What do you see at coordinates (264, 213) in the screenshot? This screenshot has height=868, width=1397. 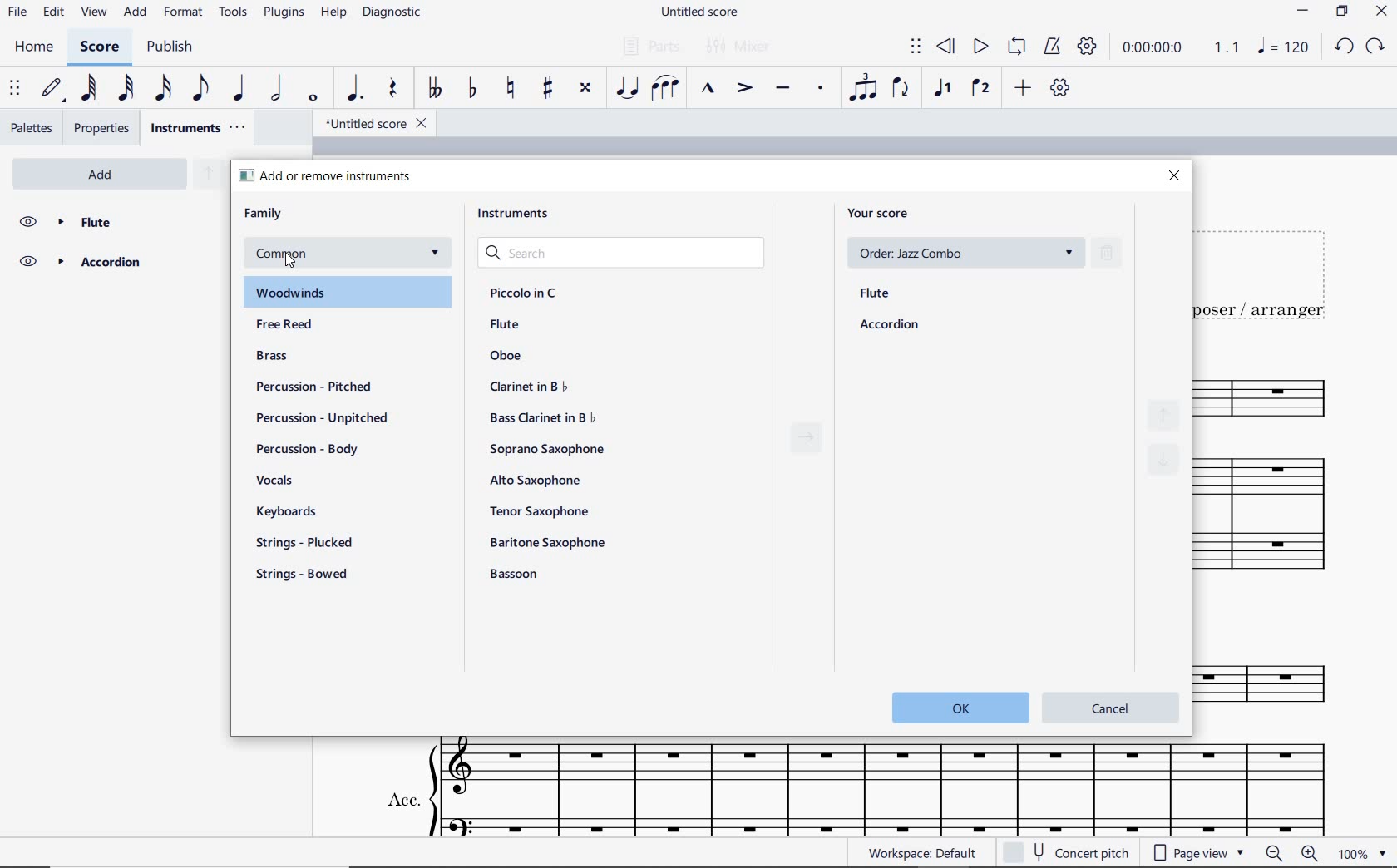 I see `family` at bounding box center [264, 213].